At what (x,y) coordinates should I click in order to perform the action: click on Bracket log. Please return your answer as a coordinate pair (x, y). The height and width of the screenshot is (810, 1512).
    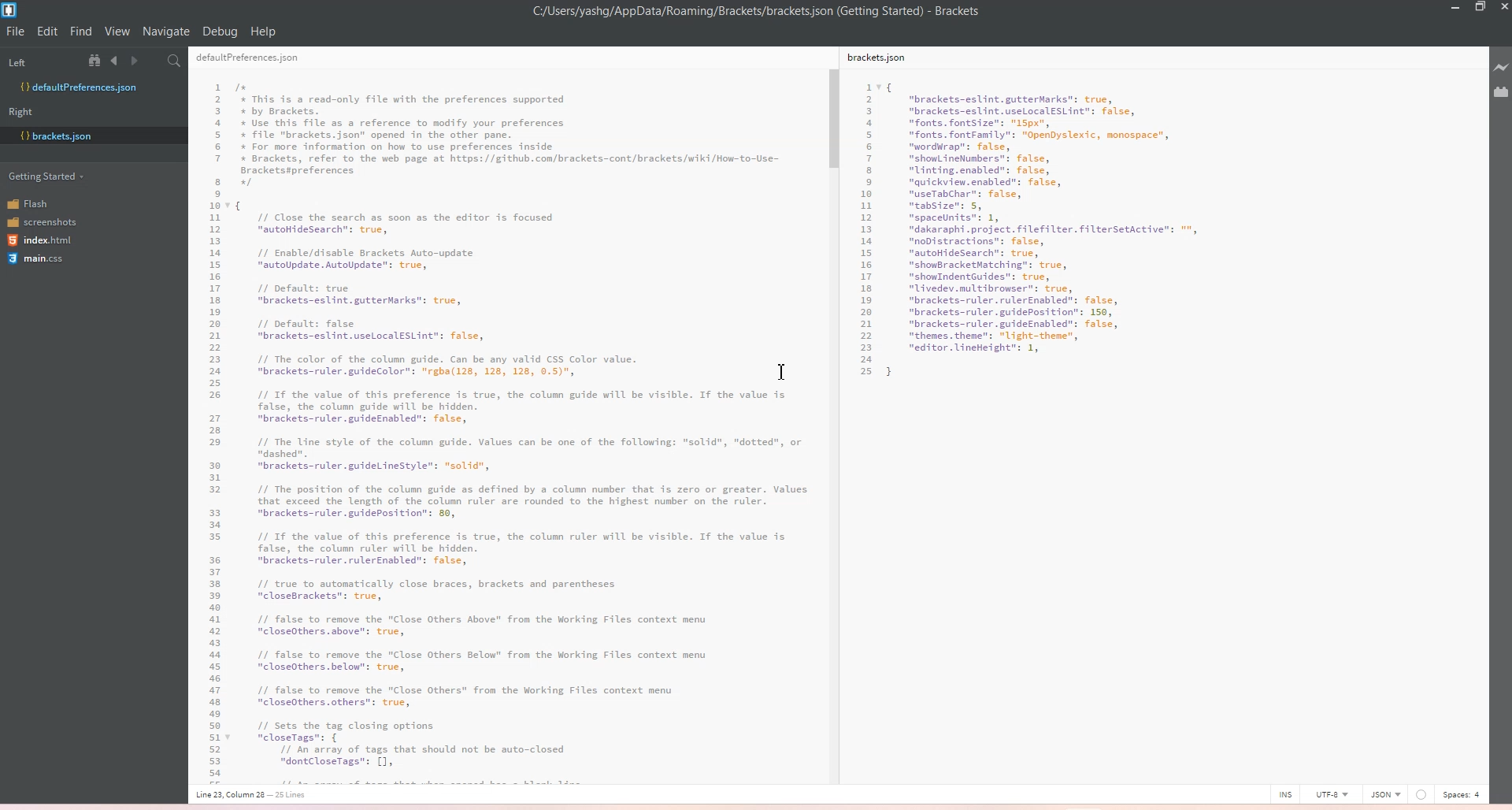
    Looking at the image, I should click on (11, 10).